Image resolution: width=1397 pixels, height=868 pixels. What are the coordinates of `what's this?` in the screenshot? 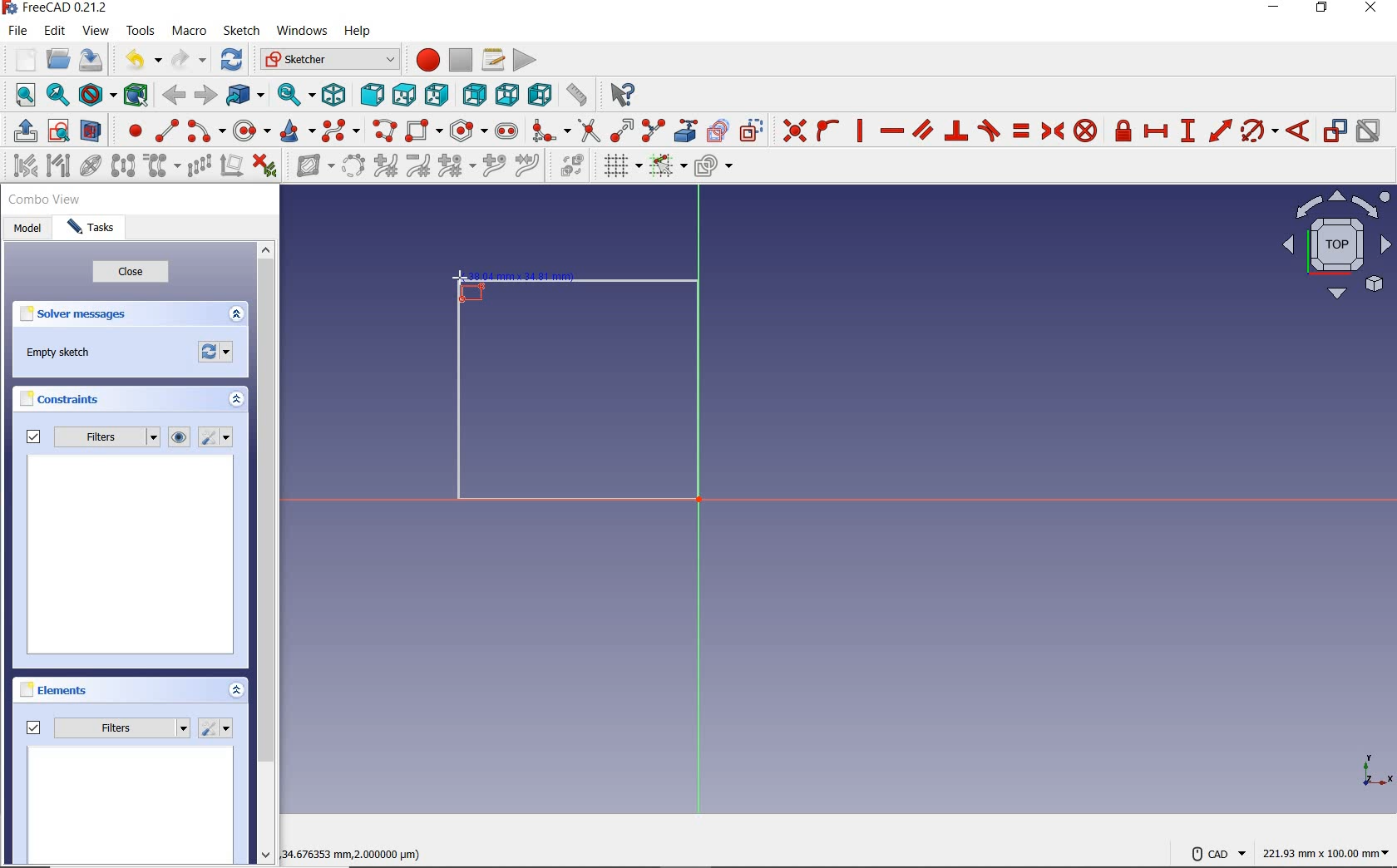 It's located at (618, 96).